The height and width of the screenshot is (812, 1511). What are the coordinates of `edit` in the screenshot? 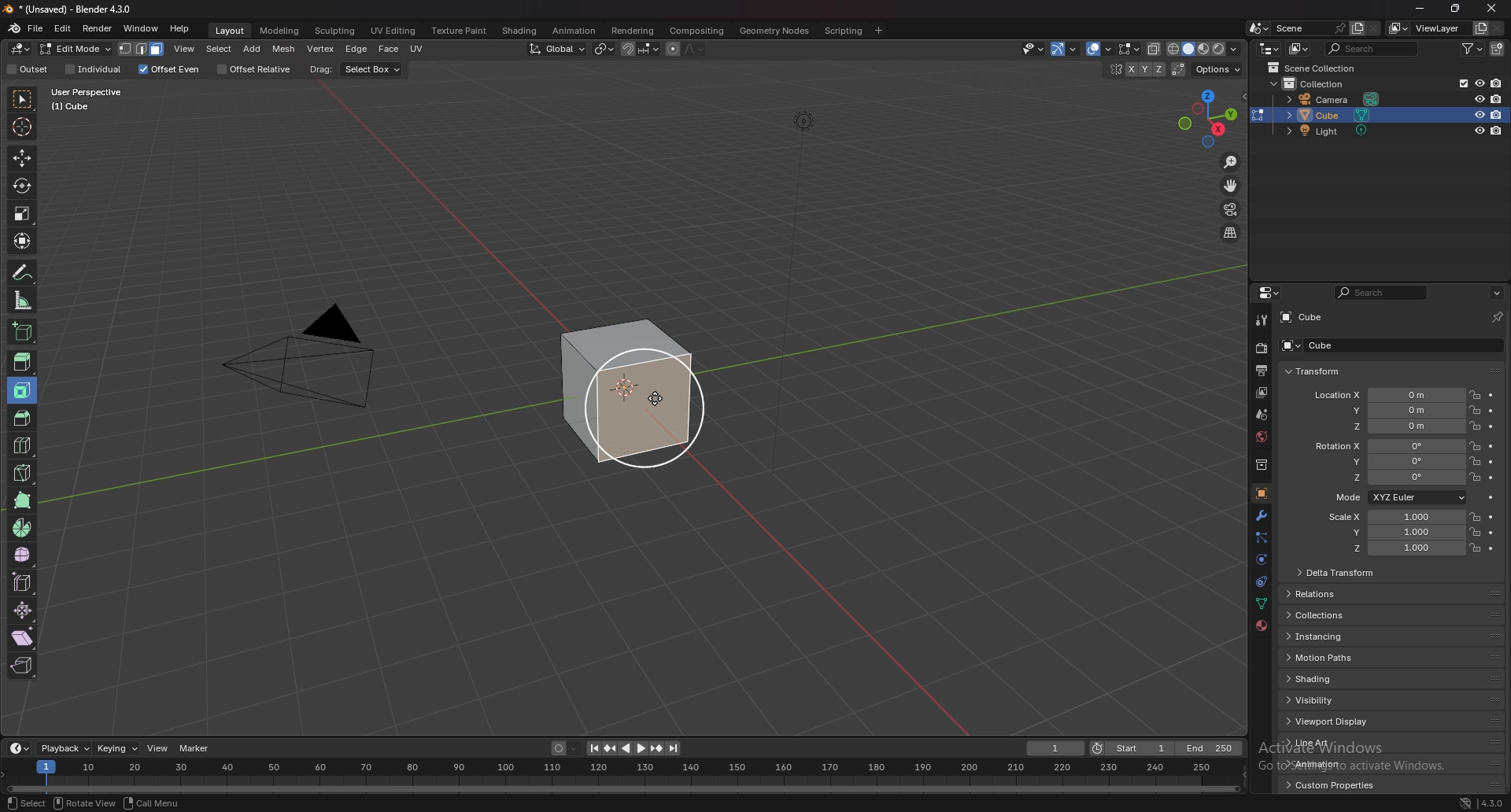 It's located at (64, 28).